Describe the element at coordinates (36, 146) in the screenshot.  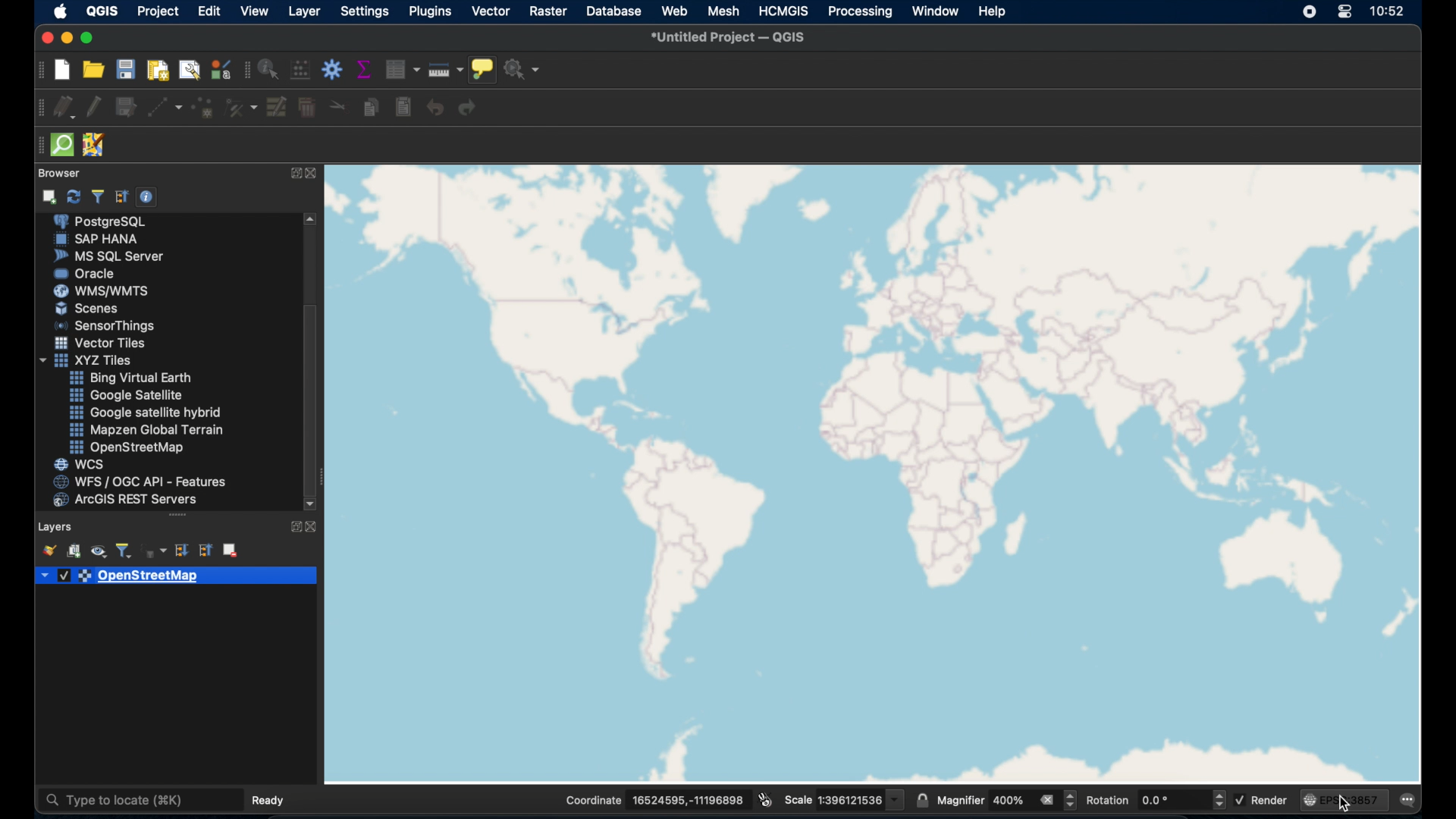
I see `drag handle` at that location.